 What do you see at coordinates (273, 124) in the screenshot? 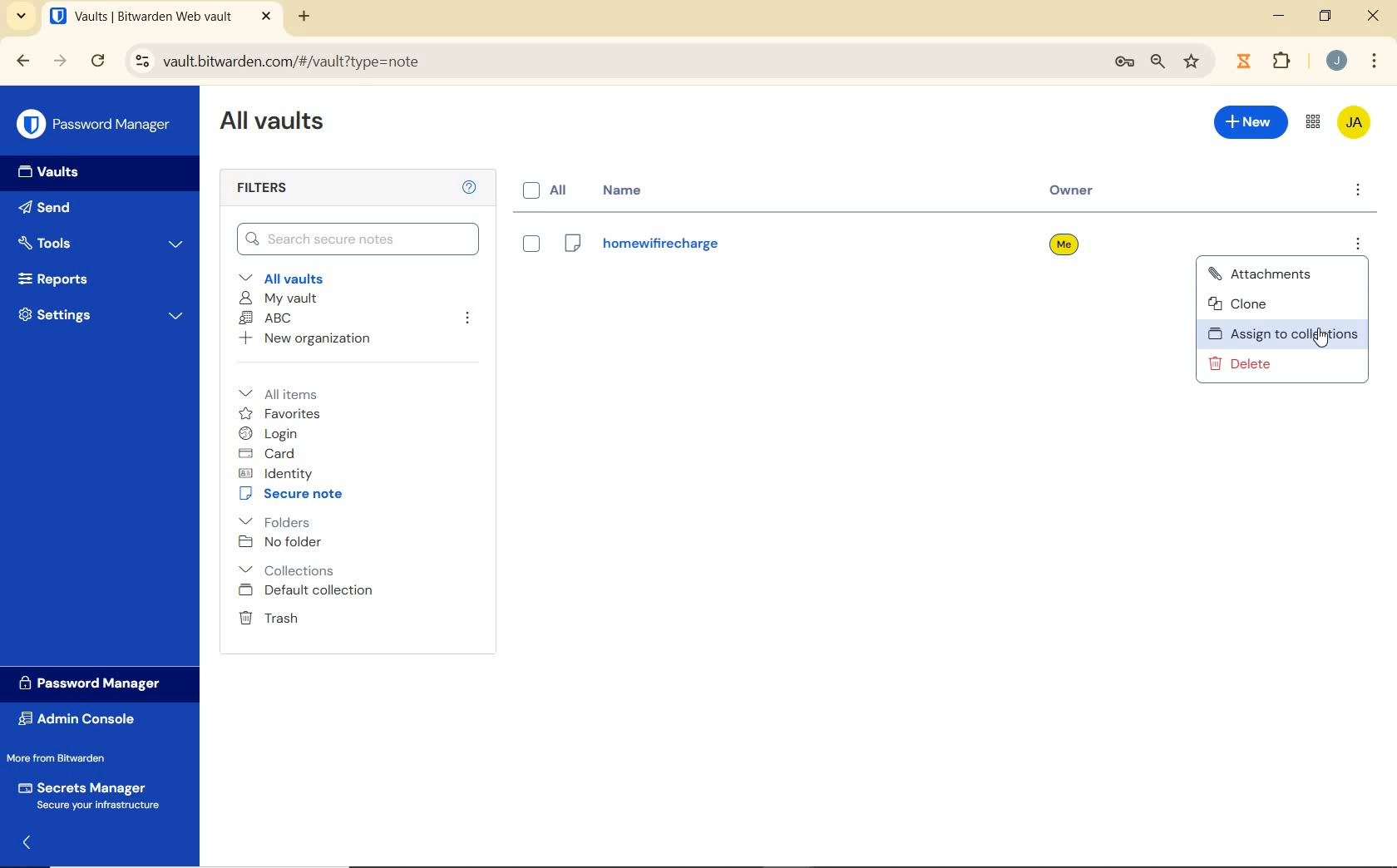
I see `All Vaults` at bounding box center [273, 124].